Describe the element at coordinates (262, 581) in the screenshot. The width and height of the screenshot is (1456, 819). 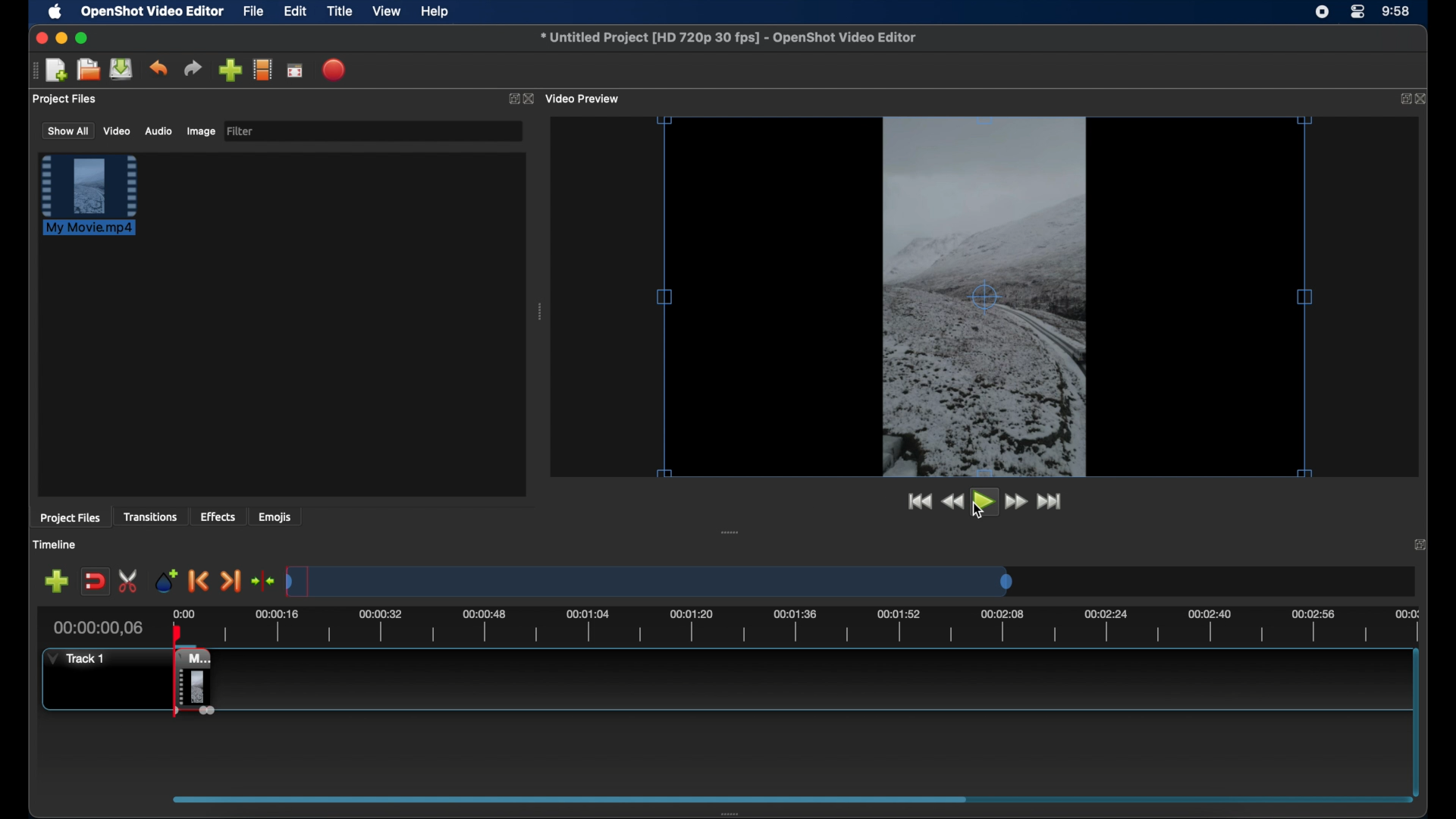
I see `center the playhead on the timeline` at that location.